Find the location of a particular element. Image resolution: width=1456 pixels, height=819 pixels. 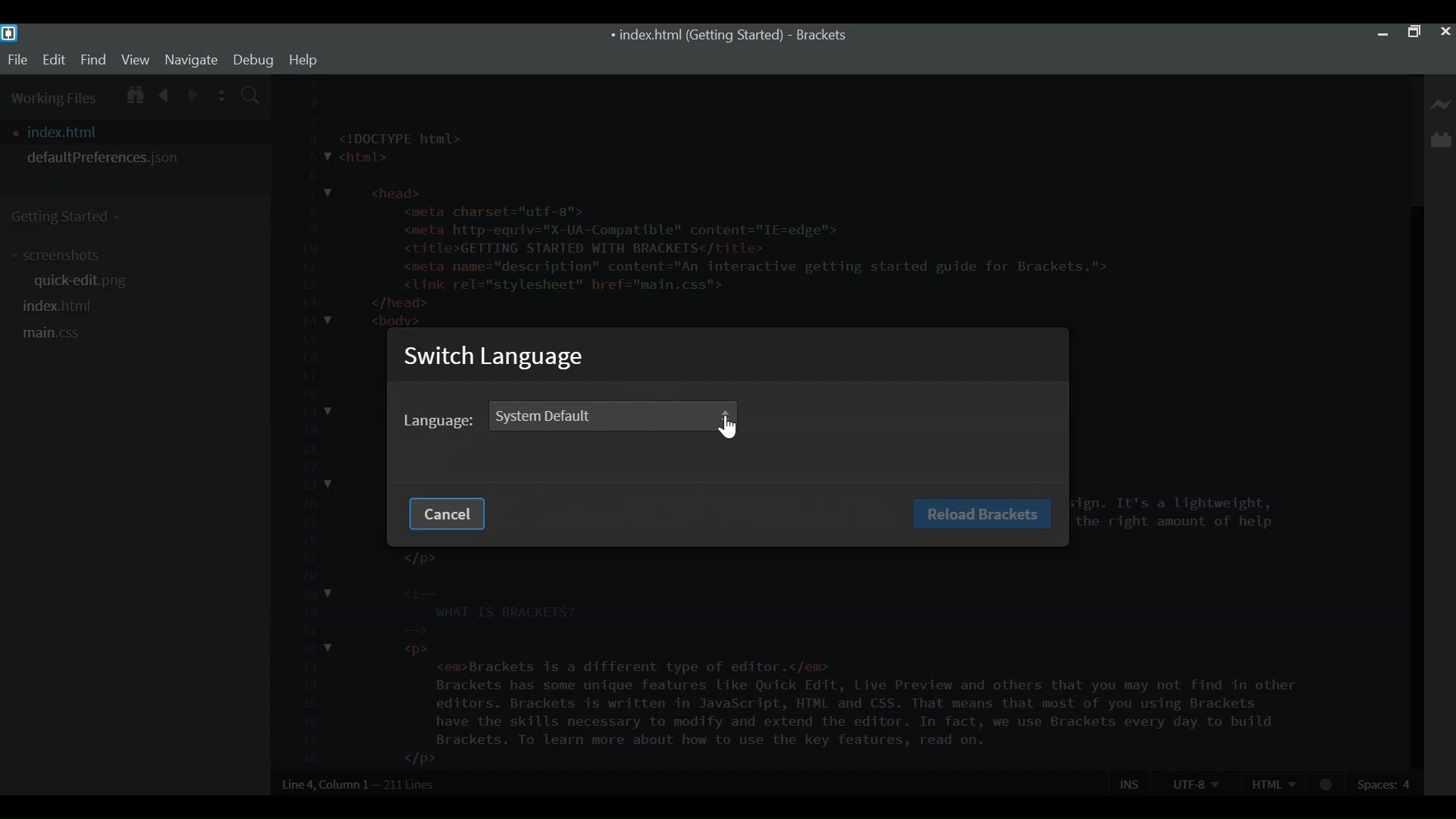

Bracket Desktop Icon is located at coordinates (9, 33).